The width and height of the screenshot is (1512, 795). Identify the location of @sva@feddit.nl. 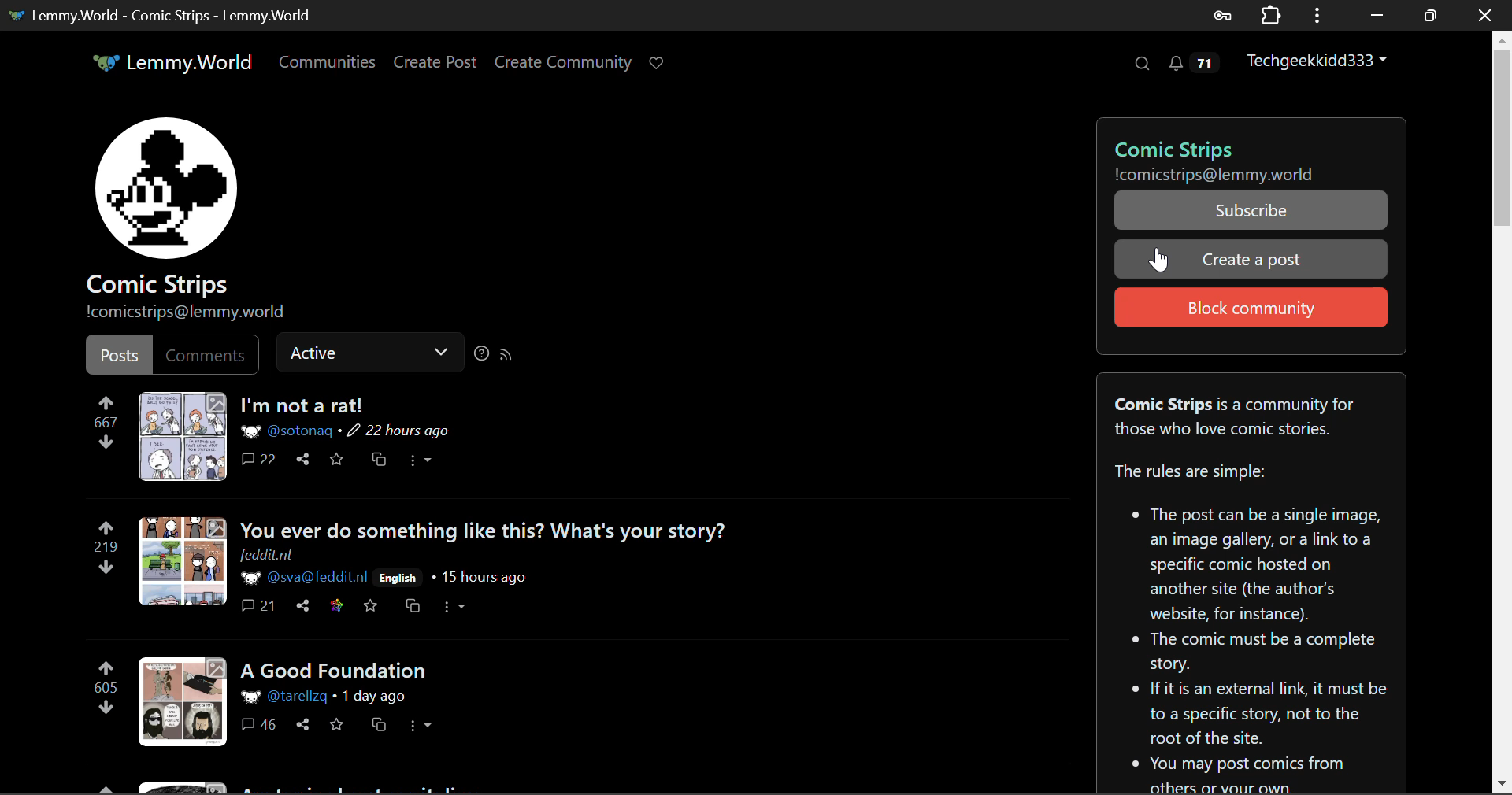
(303, 577).